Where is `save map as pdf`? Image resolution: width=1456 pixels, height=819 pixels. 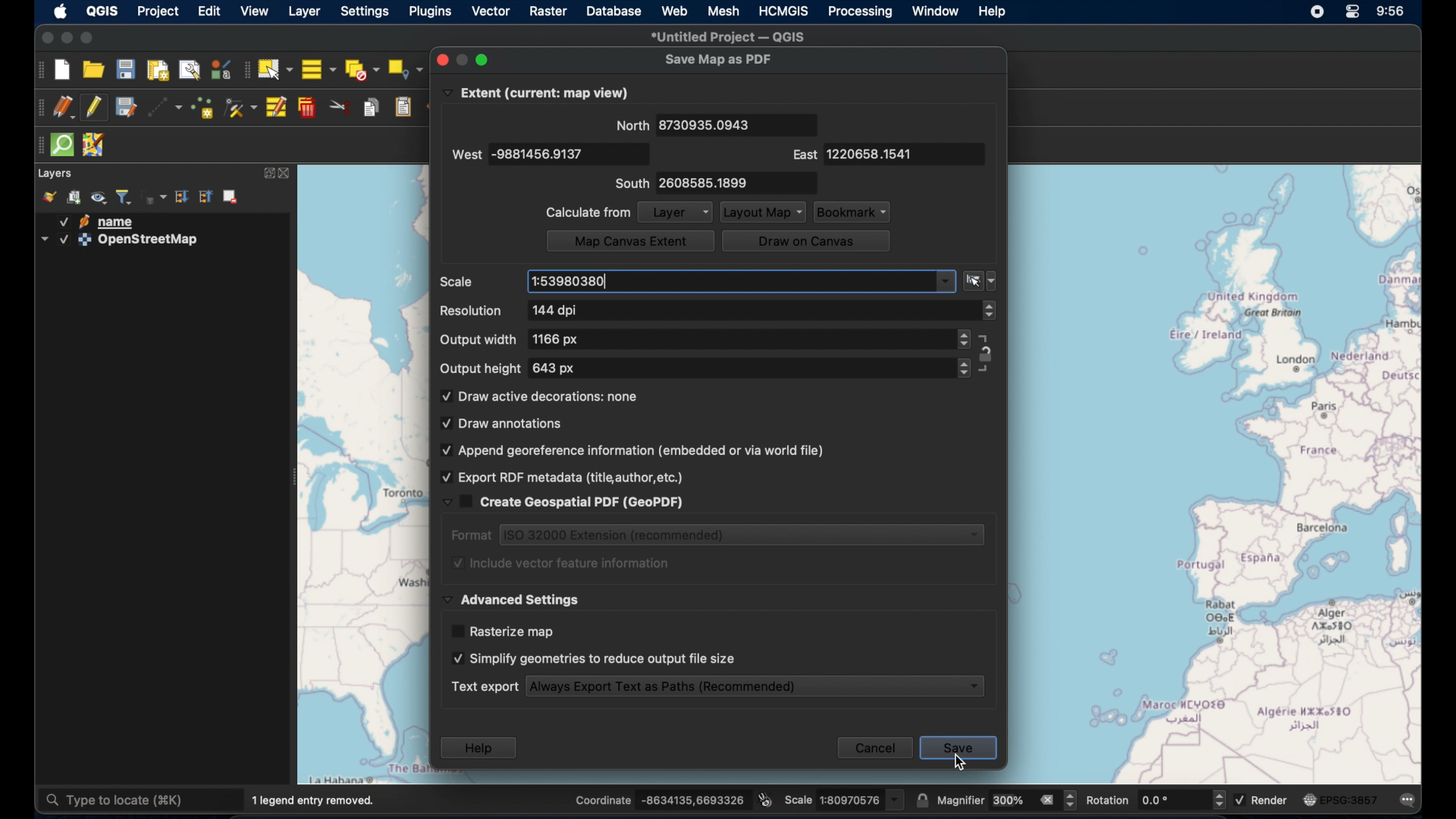 save map as pdf is located at coordinates (717, 61).